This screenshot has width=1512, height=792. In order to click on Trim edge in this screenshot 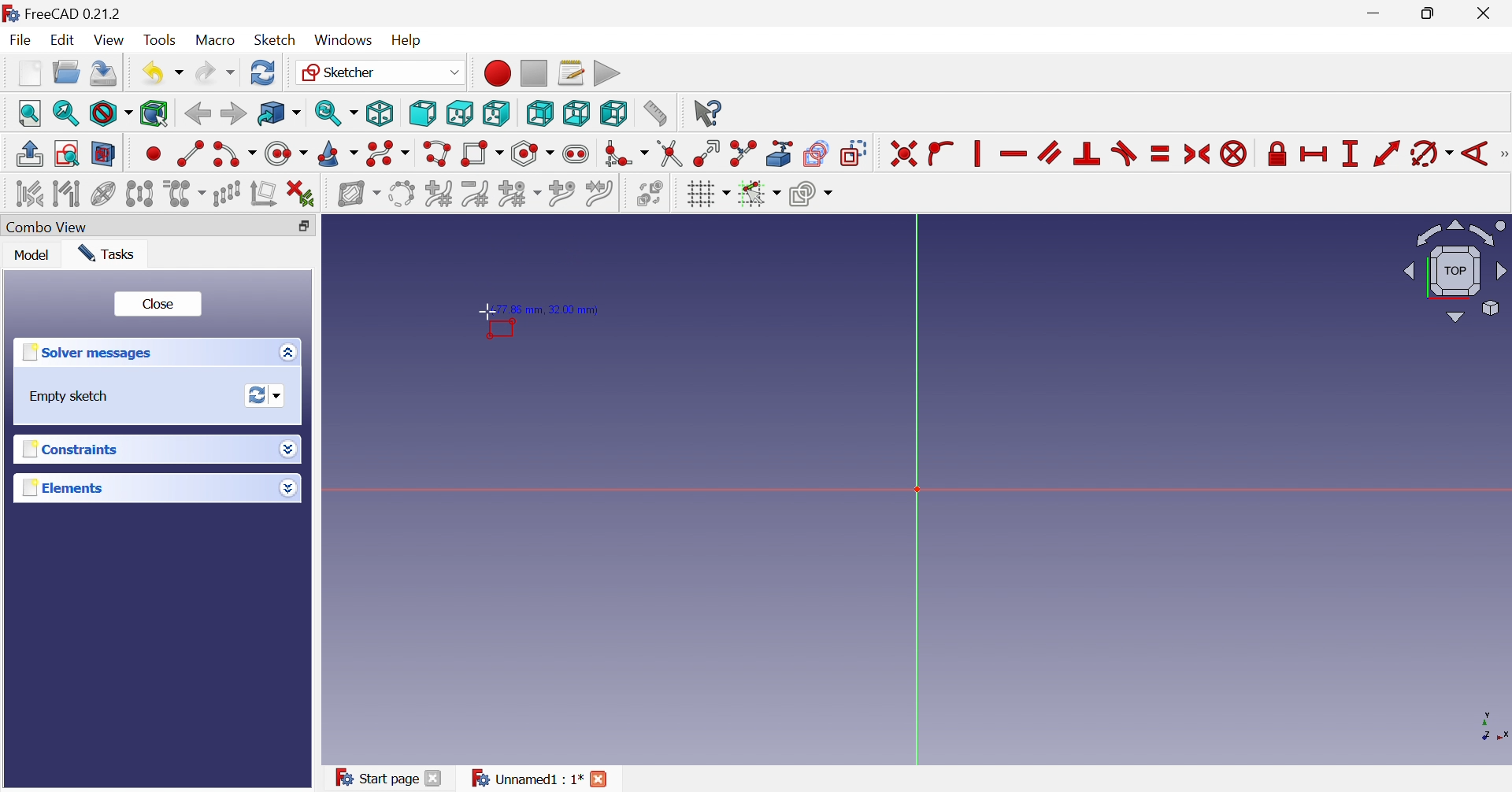, I will do `click(669, 154)`.